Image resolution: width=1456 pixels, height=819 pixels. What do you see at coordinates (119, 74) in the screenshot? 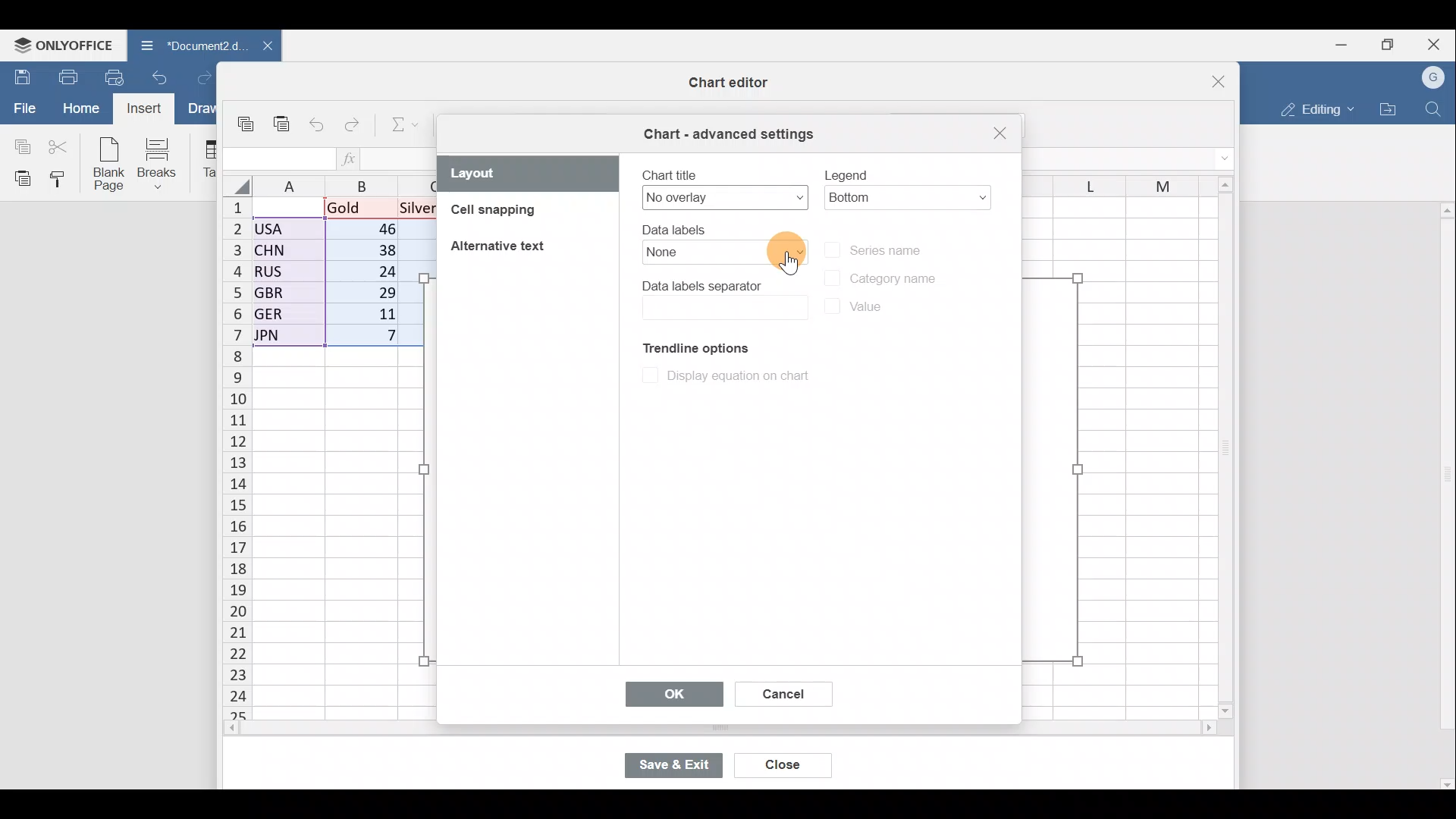
I see `Quick print` at bounding box center [119, 74].